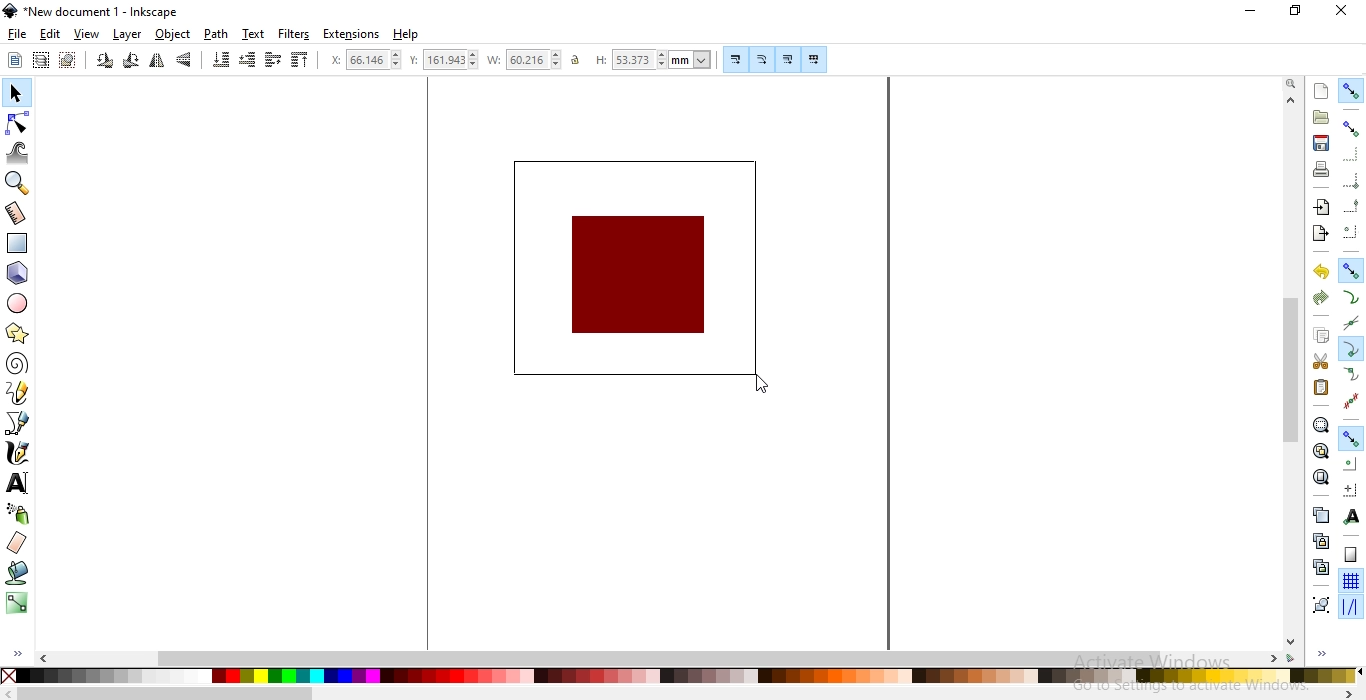  I want to click on minimize, so click(1252, 12).